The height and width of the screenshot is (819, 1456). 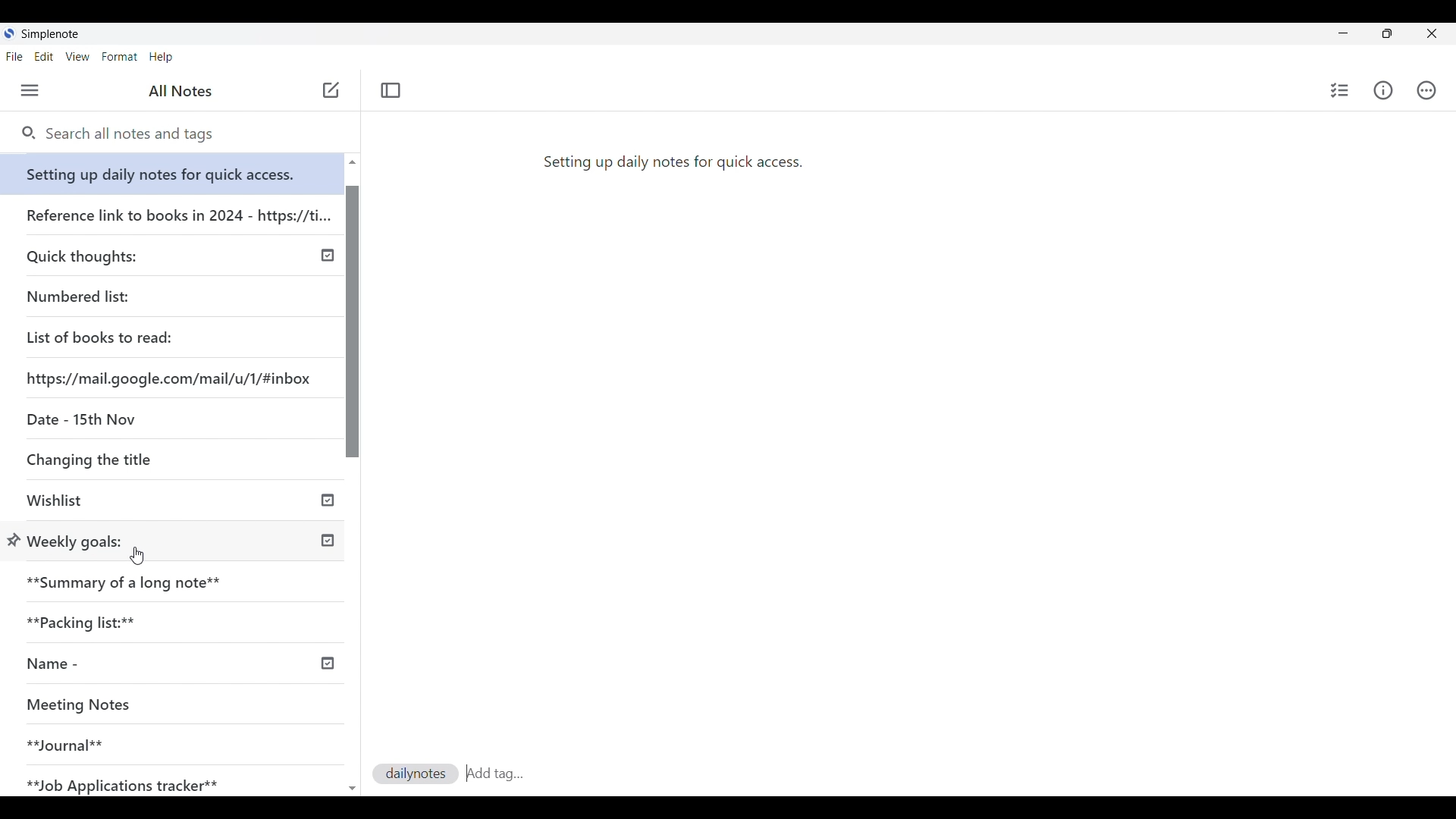 What do you see at coordinates (326, 664) in the screenshot?
I see `published` at bounding box center [326, 664].